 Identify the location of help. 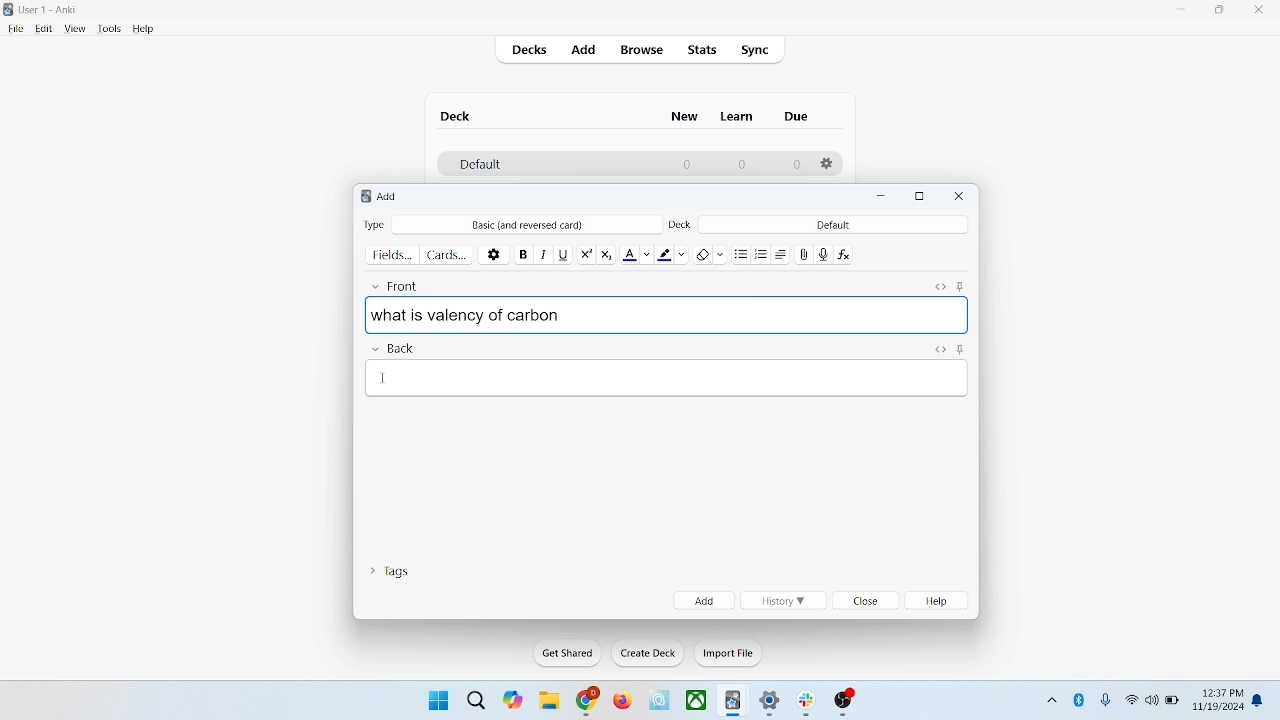
(940, 601).